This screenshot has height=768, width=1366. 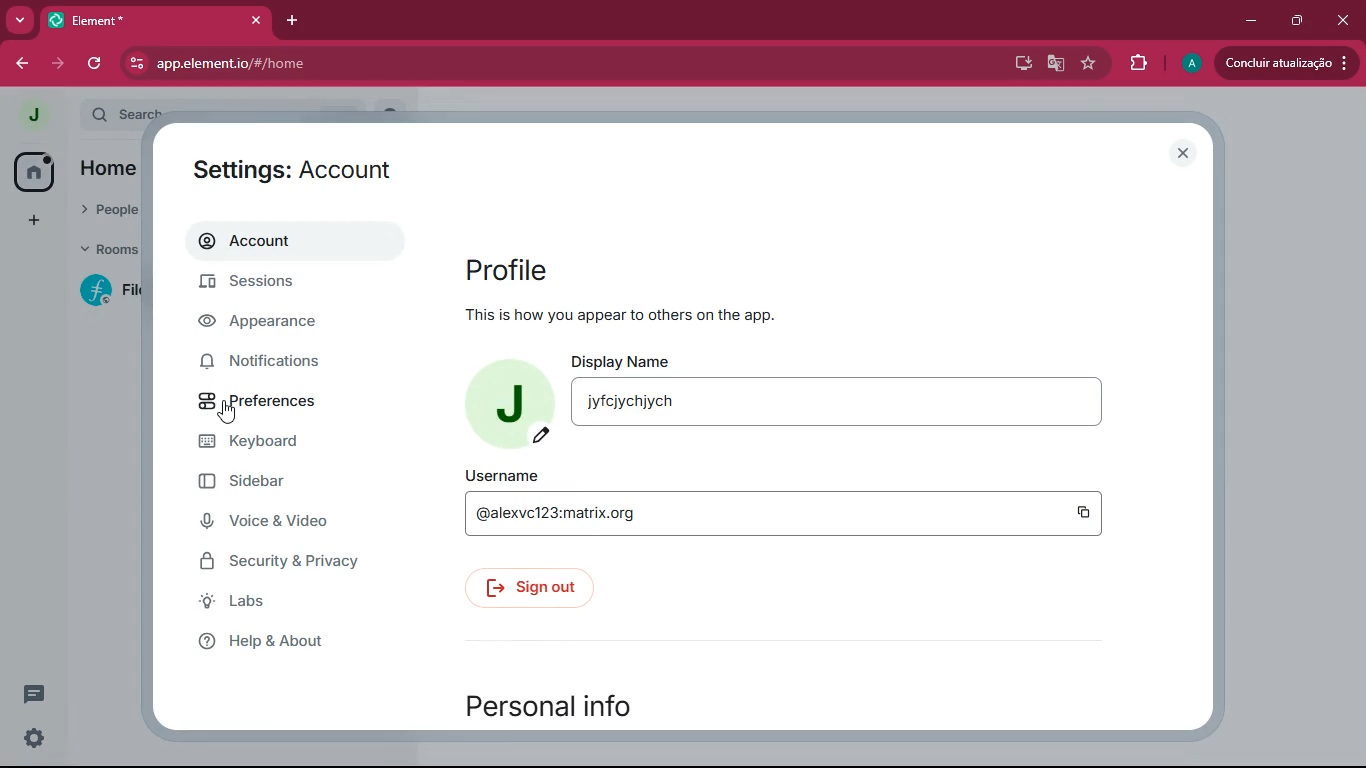 What do you see at coordinates (38, 694) in the screenshot?
I see `messages` at bounding box center [38, 694].